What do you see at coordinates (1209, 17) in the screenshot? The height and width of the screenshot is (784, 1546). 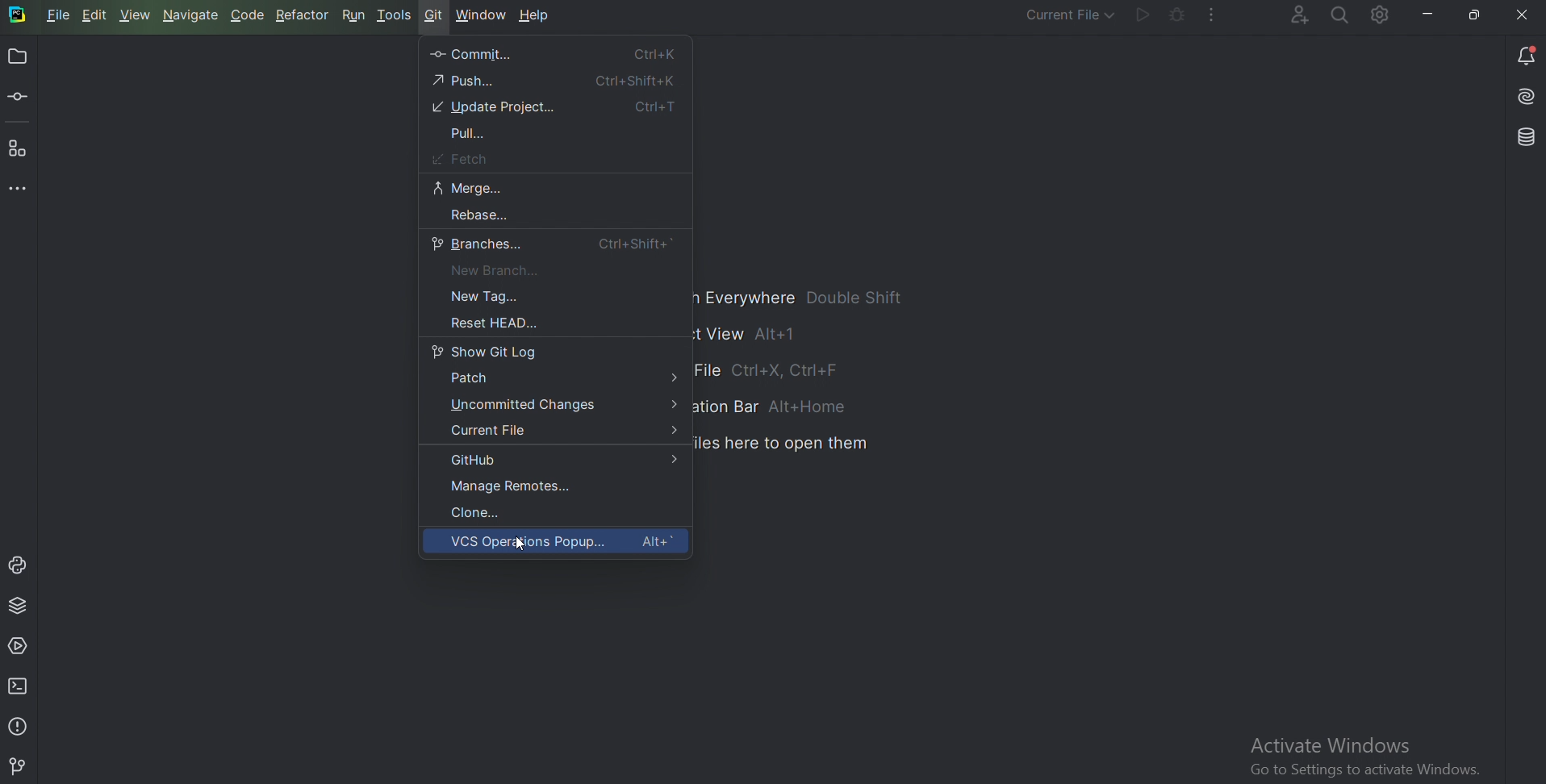 I see `More actions` at bounding box center [1209, 17].